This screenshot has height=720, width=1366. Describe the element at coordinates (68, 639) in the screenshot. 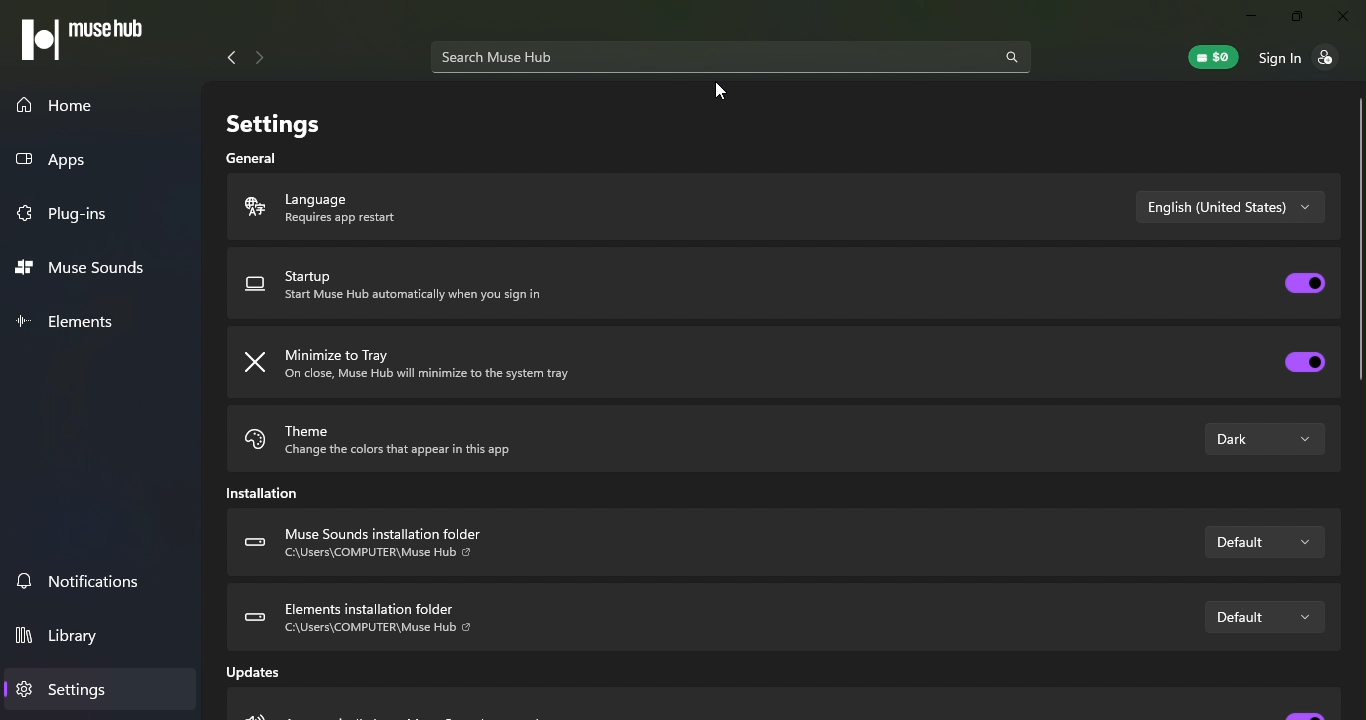

I see `Library` at that location.